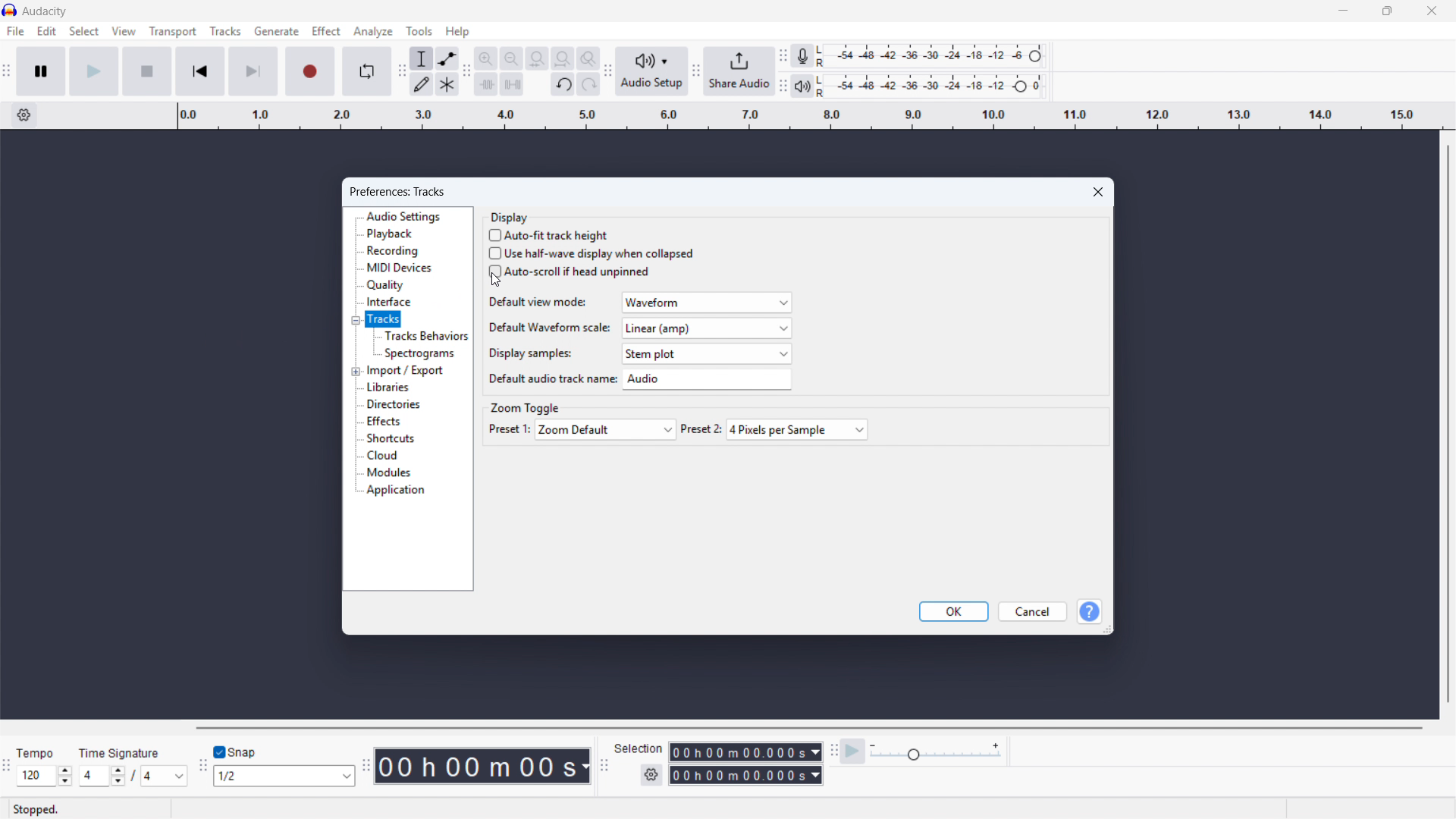 Image resolution: width=1456 pixels, height=819 pixels. I want to click on redo, so click(588, 83).